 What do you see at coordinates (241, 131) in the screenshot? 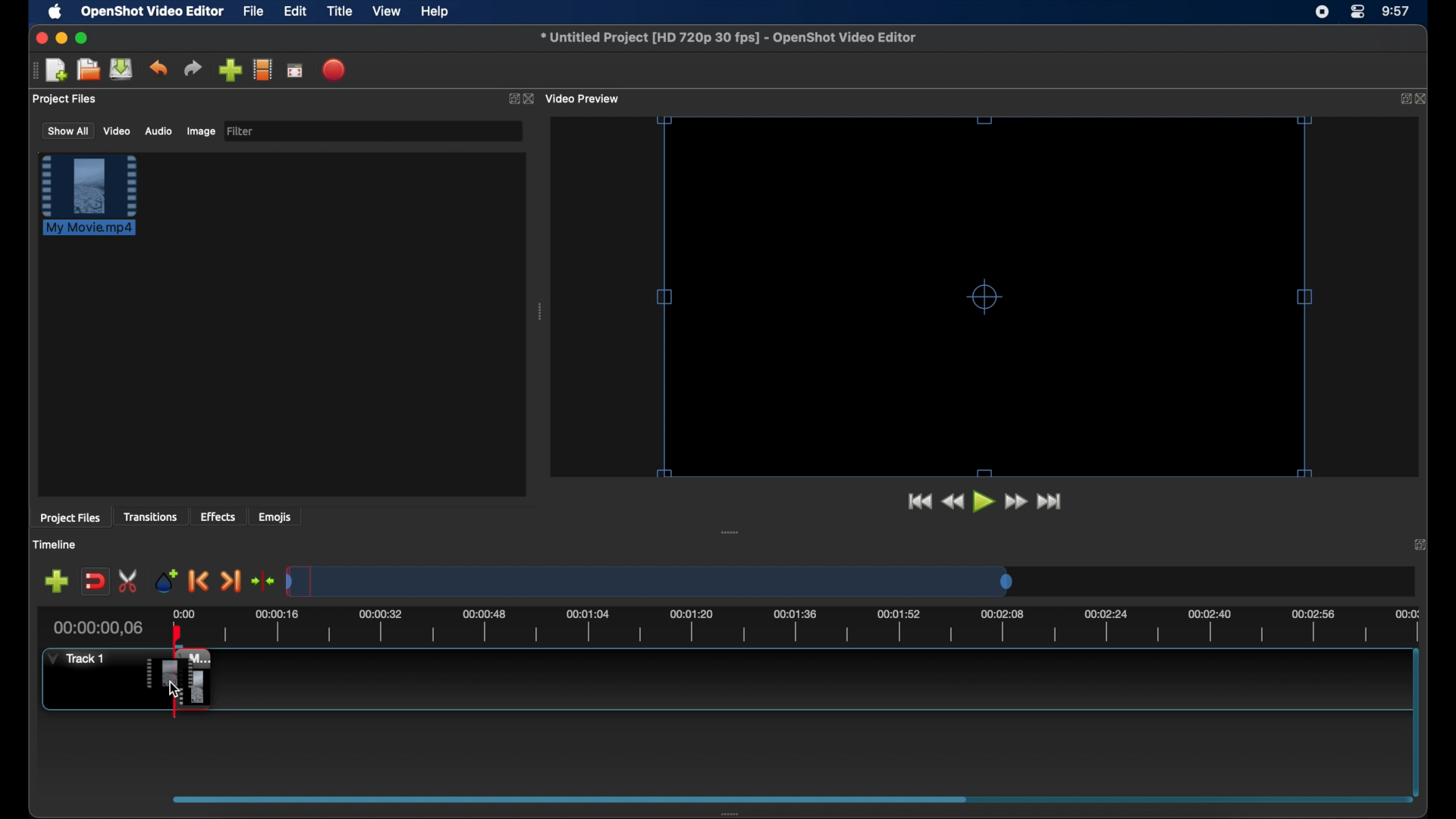
I see `filter` at bounding box center [241, 131].